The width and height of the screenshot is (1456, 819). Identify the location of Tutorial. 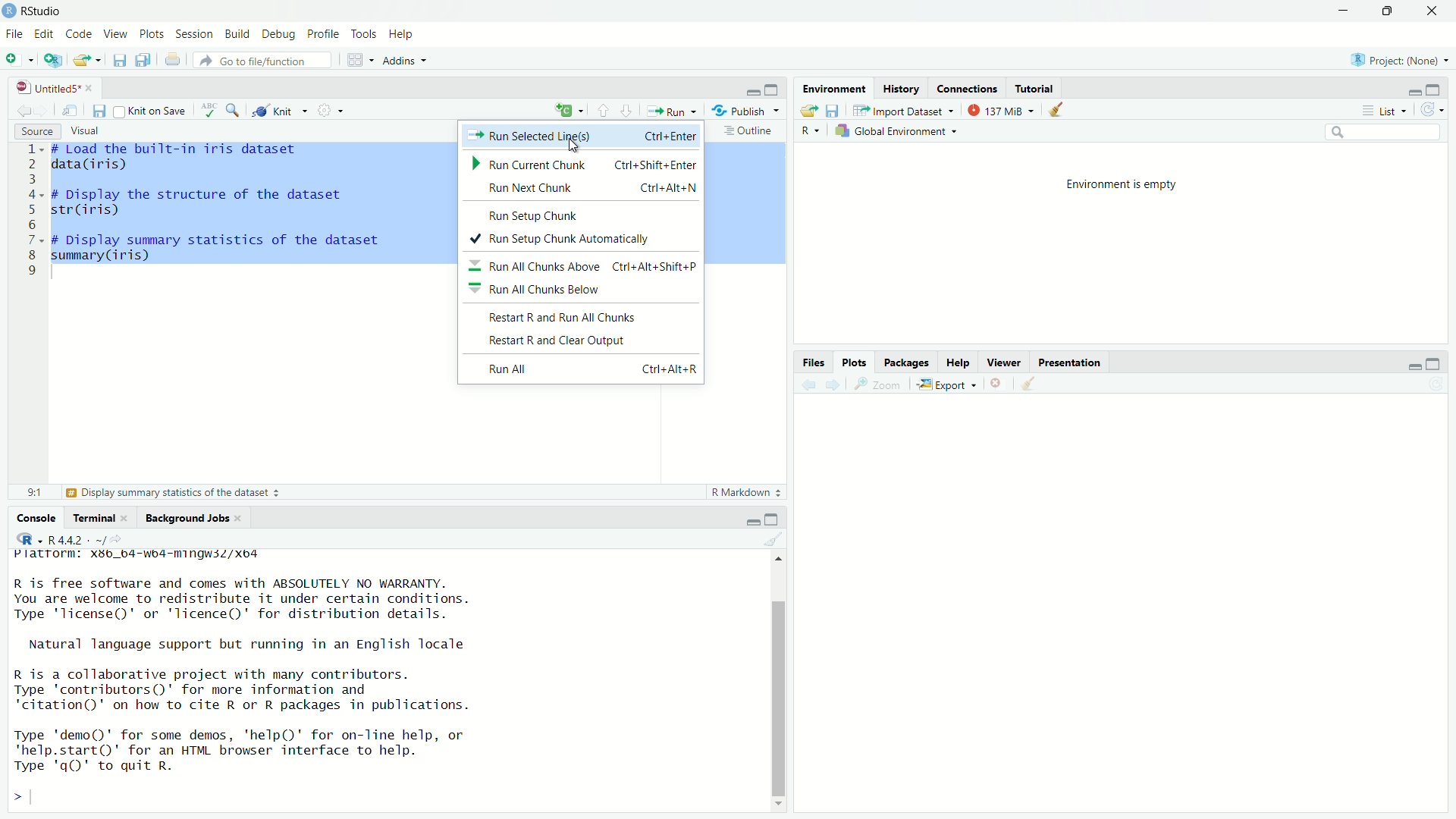
(1035, 86).